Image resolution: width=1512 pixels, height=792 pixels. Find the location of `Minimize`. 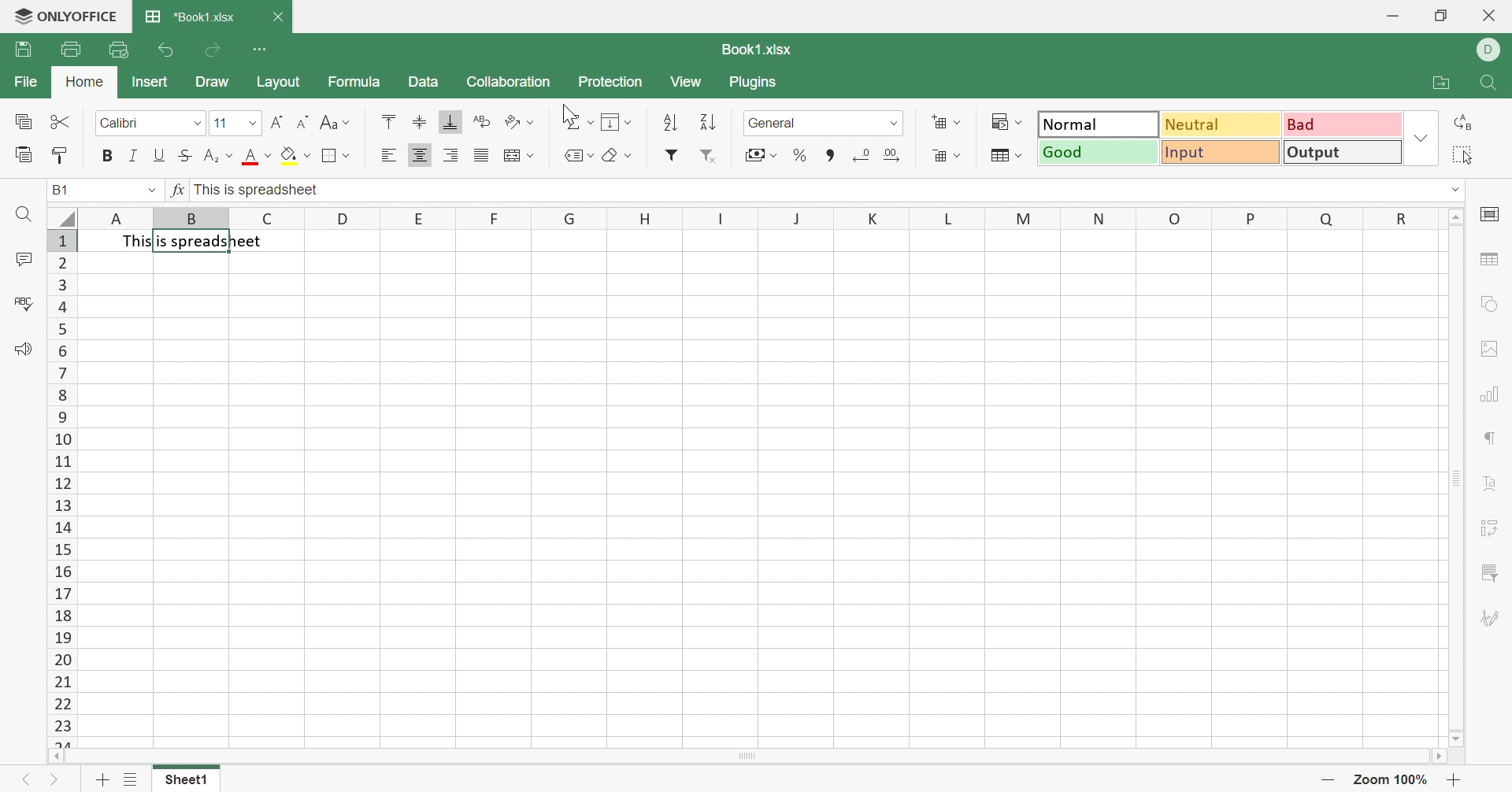

Minimize is located at coordinates (1392, 16).